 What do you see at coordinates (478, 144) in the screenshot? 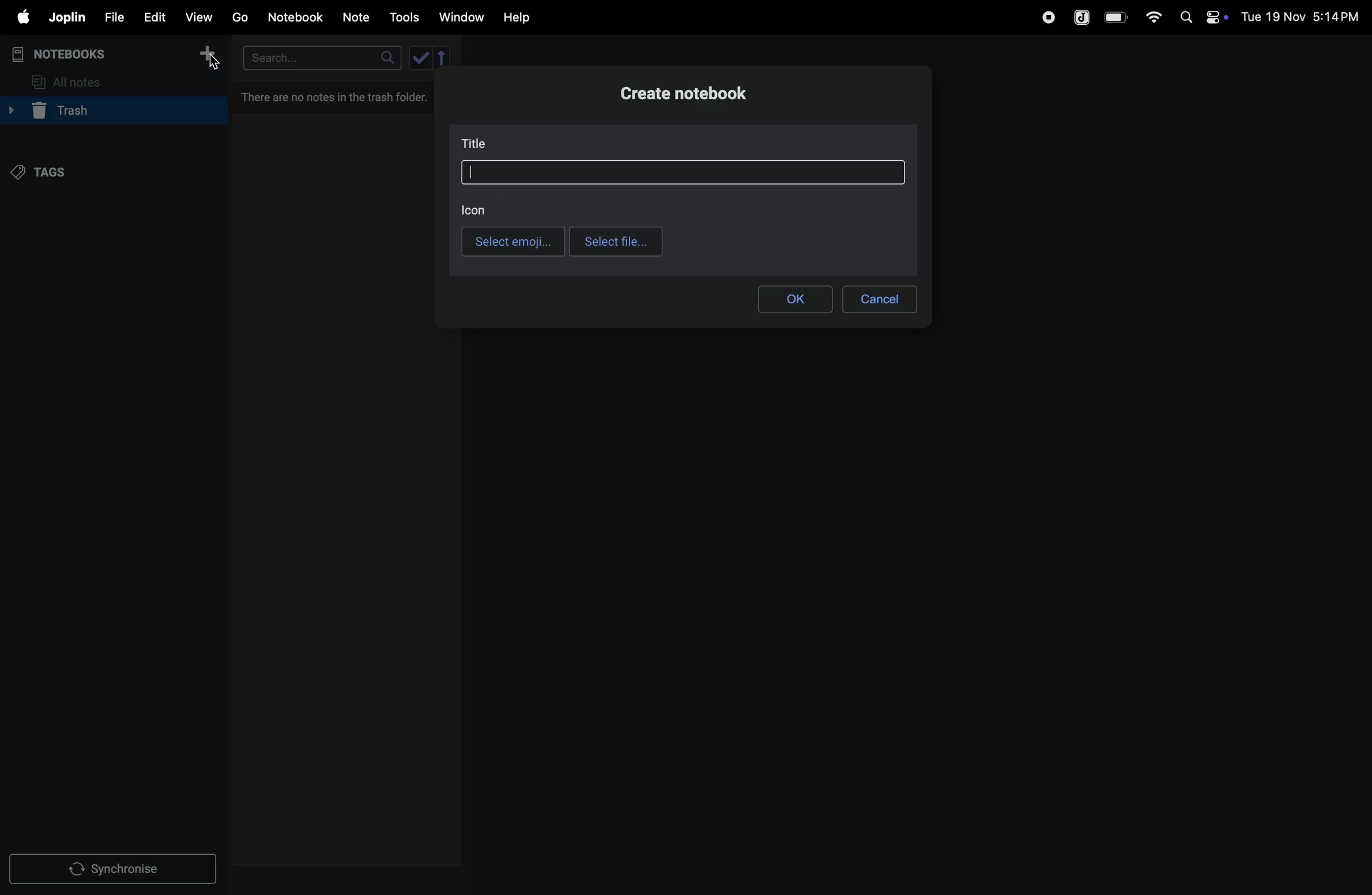
I see `title` at bounding box center [478, 144].